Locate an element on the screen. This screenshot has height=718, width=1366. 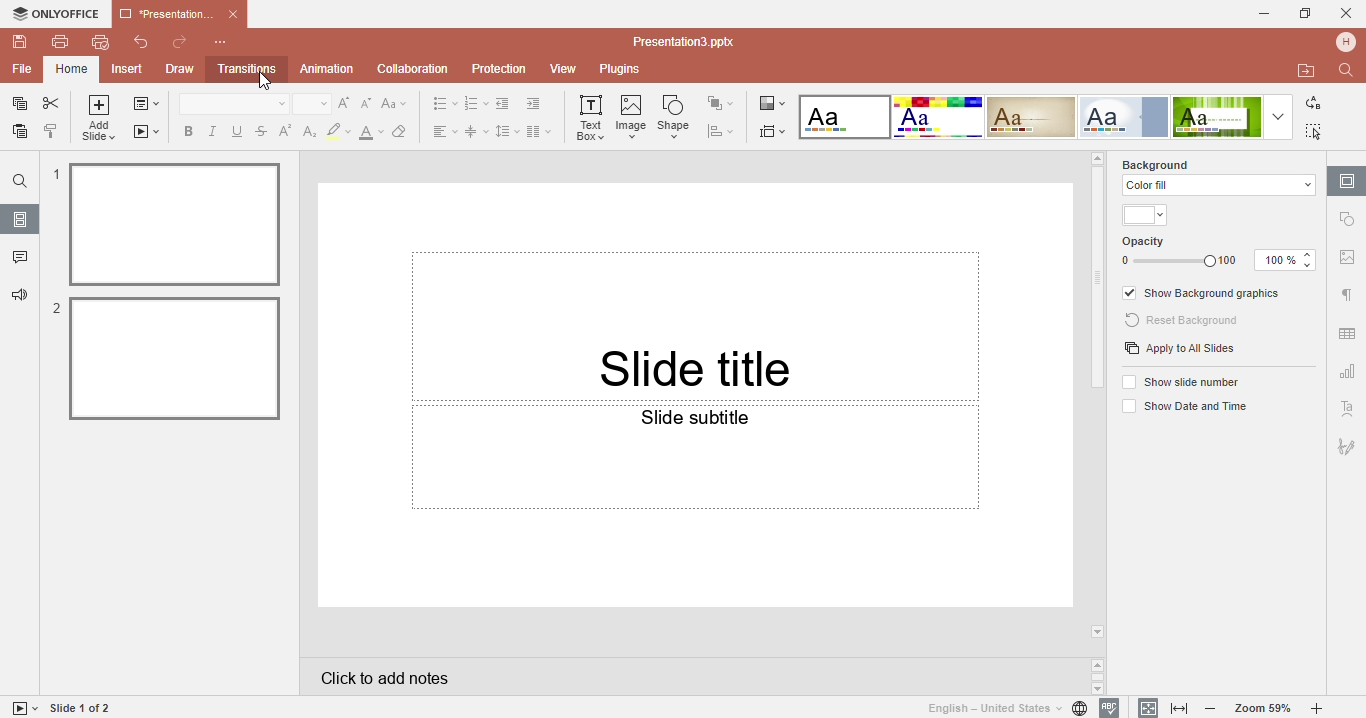
Profile name is located at coordinates (1348, 41).